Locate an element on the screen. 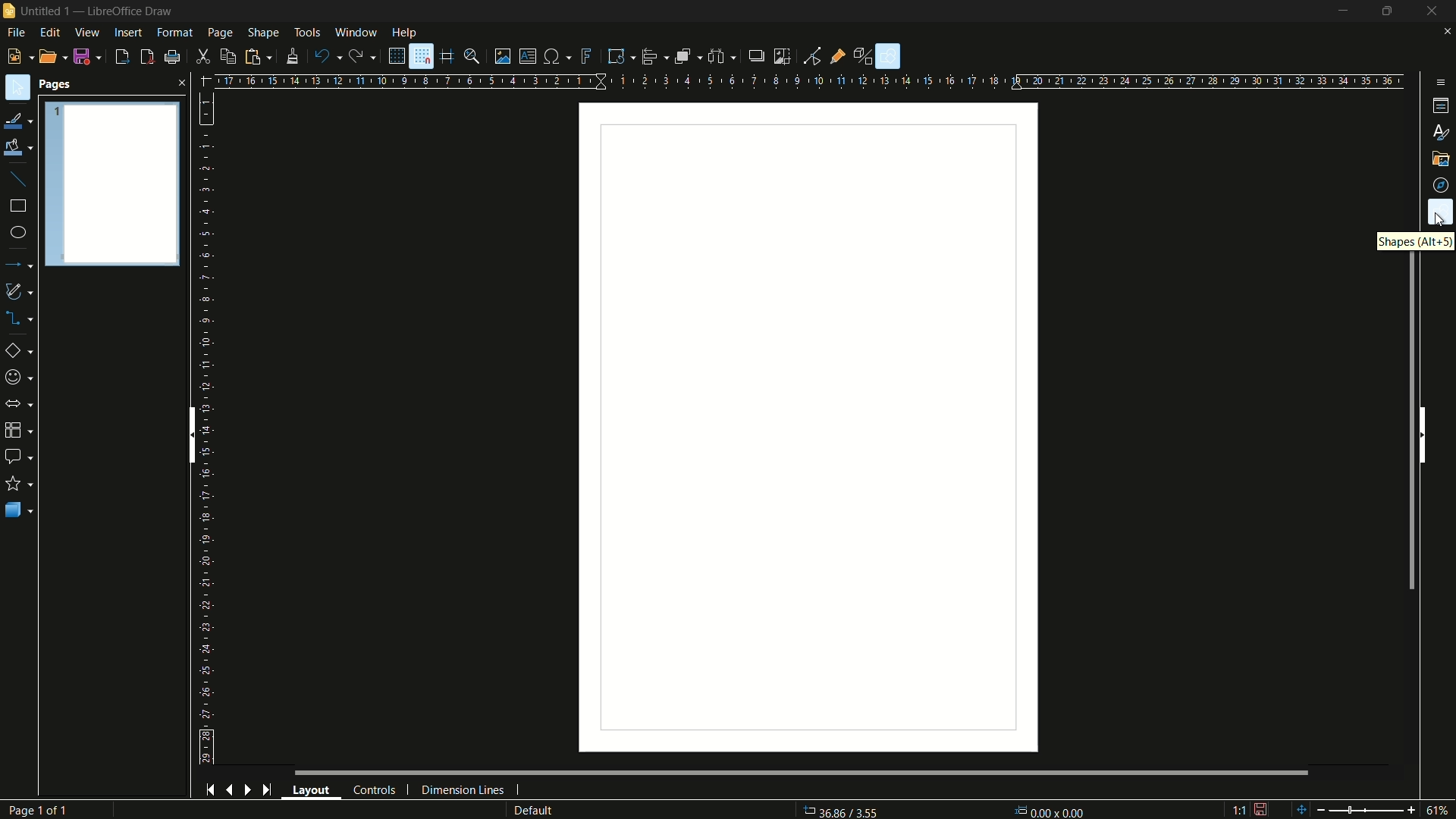  pages is located at coordinates (55, 85).